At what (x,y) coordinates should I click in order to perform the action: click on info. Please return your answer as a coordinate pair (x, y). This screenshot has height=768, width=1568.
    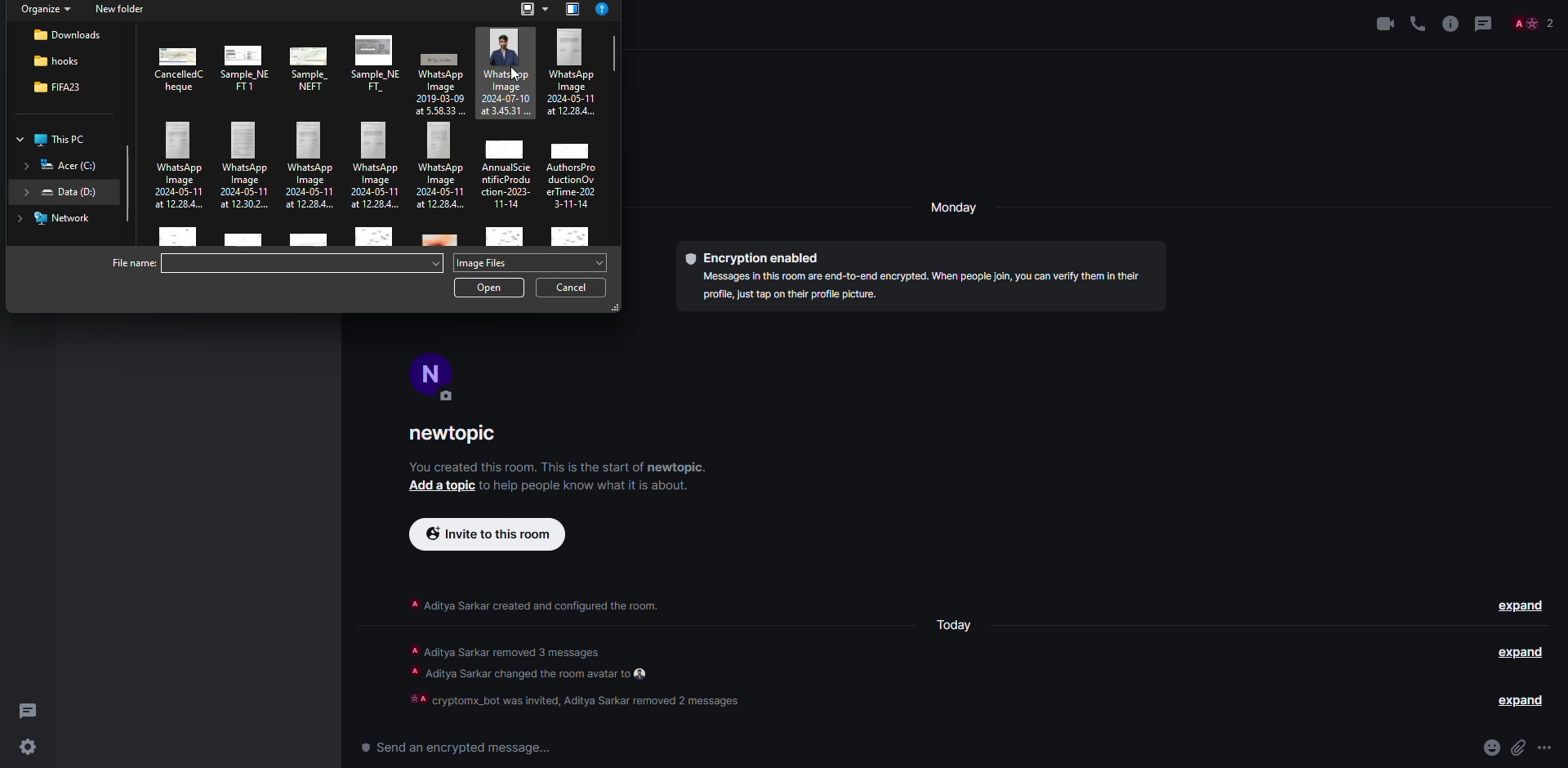
    Looking at the image, I should click on (560, 466).